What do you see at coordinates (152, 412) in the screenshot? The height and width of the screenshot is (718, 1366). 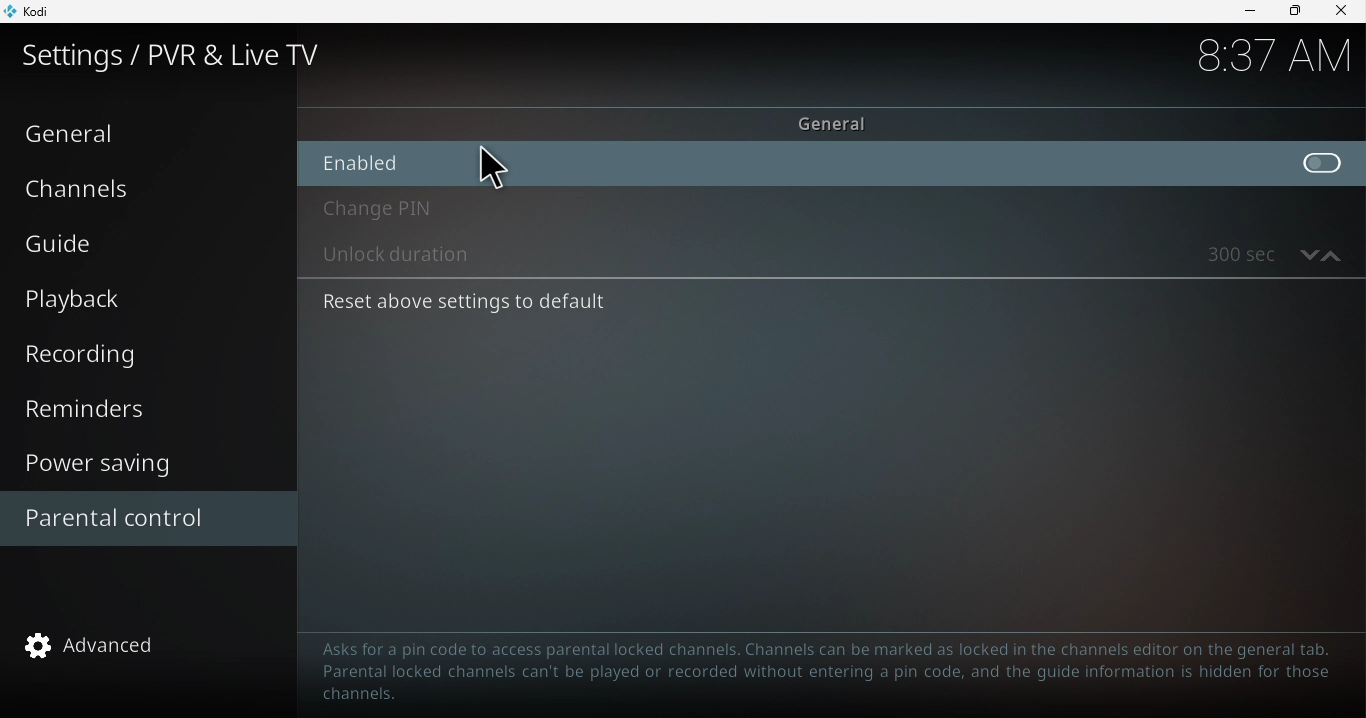 I see `Reminders` at bounding box center [152, 412].